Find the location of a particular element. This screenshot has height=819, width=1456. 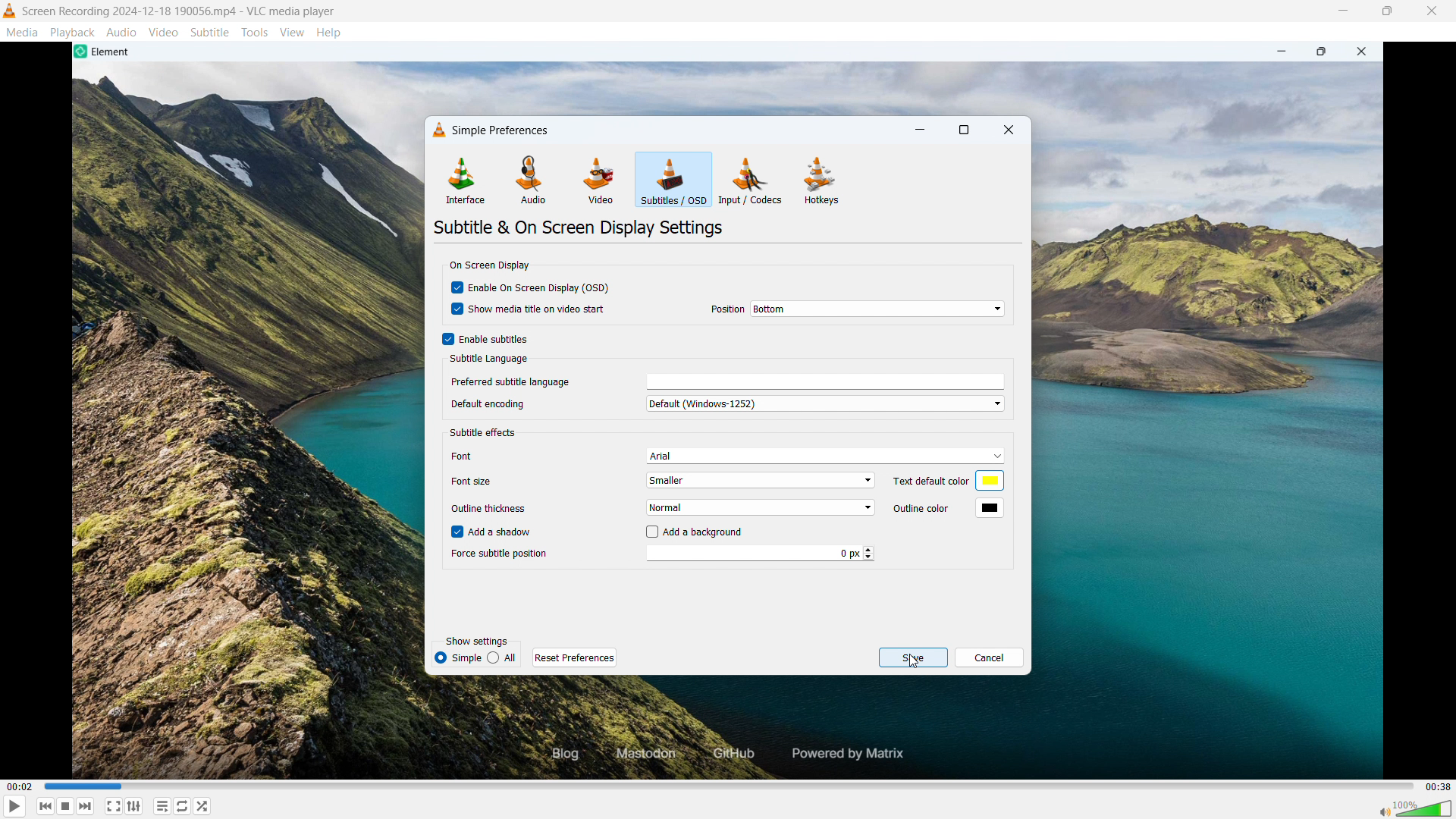

Maximise  is located at coordinates (1387, 11).